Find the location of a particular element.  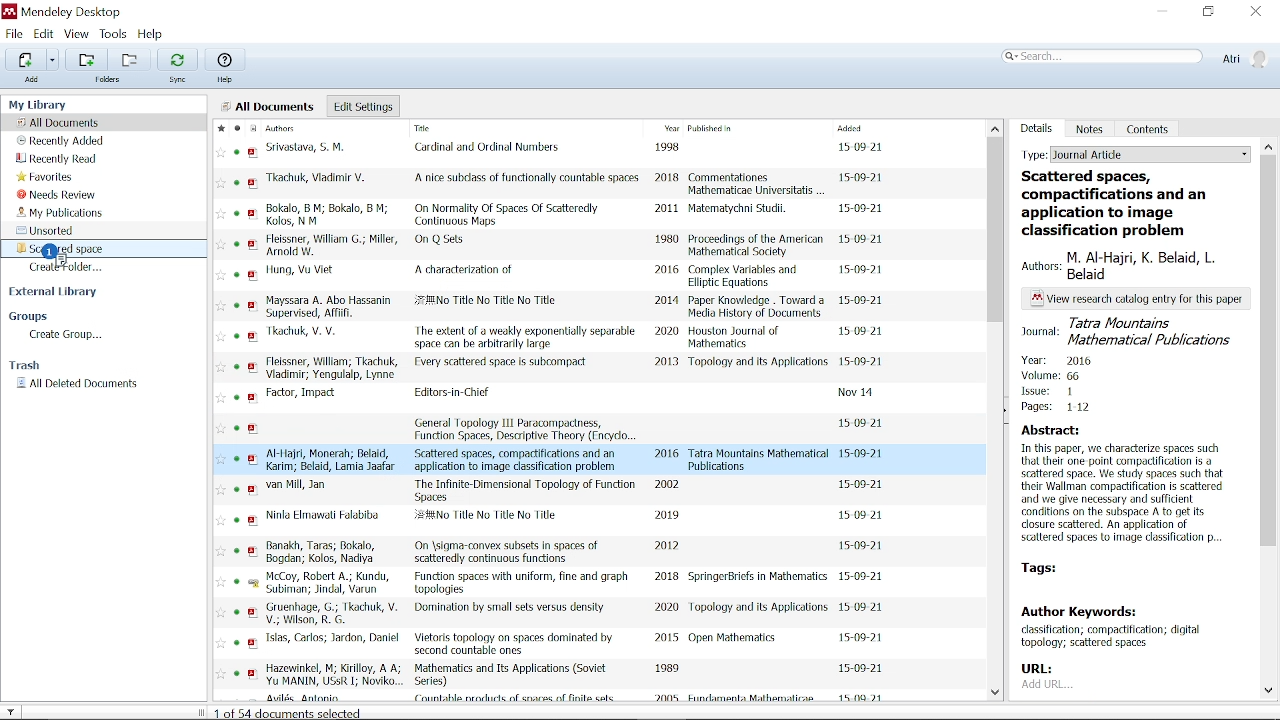

2016 is located at coordinates (668, 453).